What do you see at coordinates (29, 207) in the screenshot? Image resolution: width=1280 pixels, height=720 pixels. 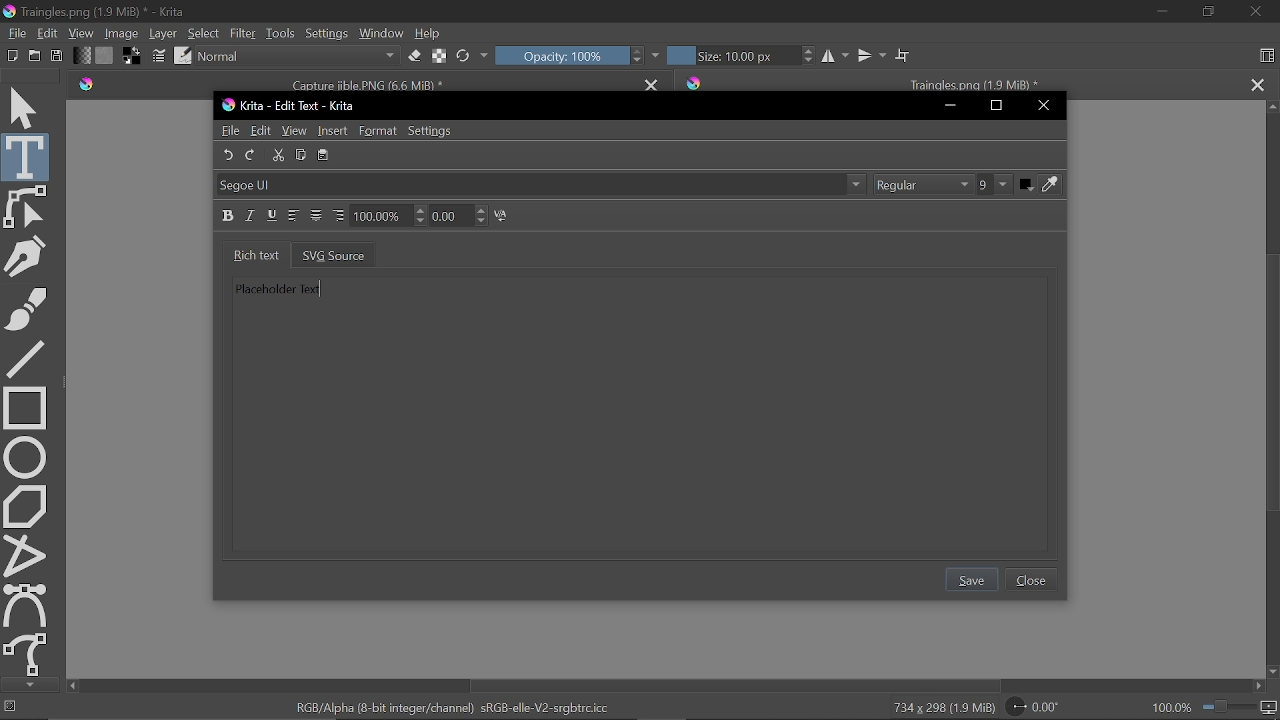 I see `Edit shapes tool` at bounding box center [29, 207].